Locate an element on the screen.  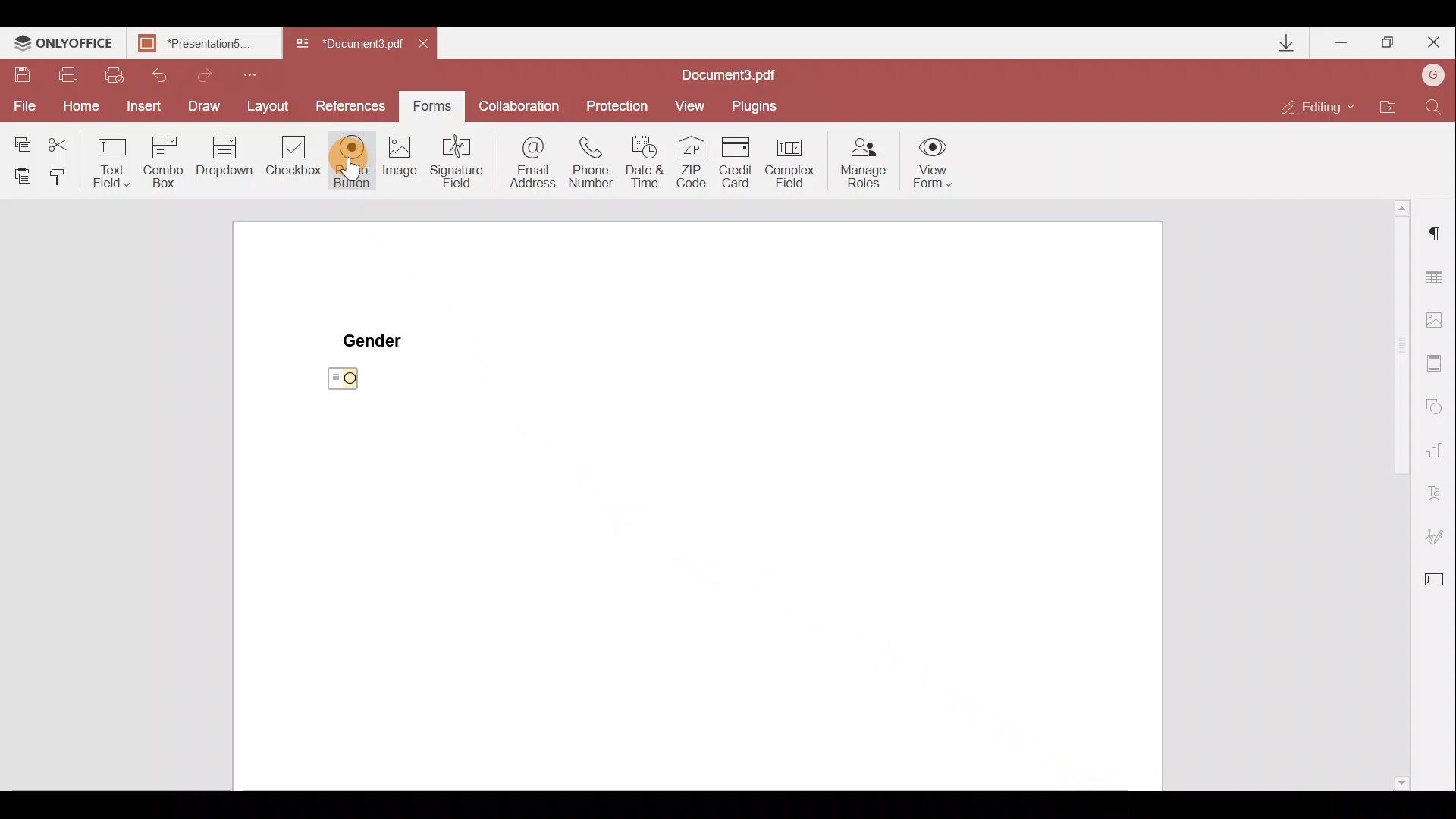
Shapes settings is located at coordinates (1438, 408).